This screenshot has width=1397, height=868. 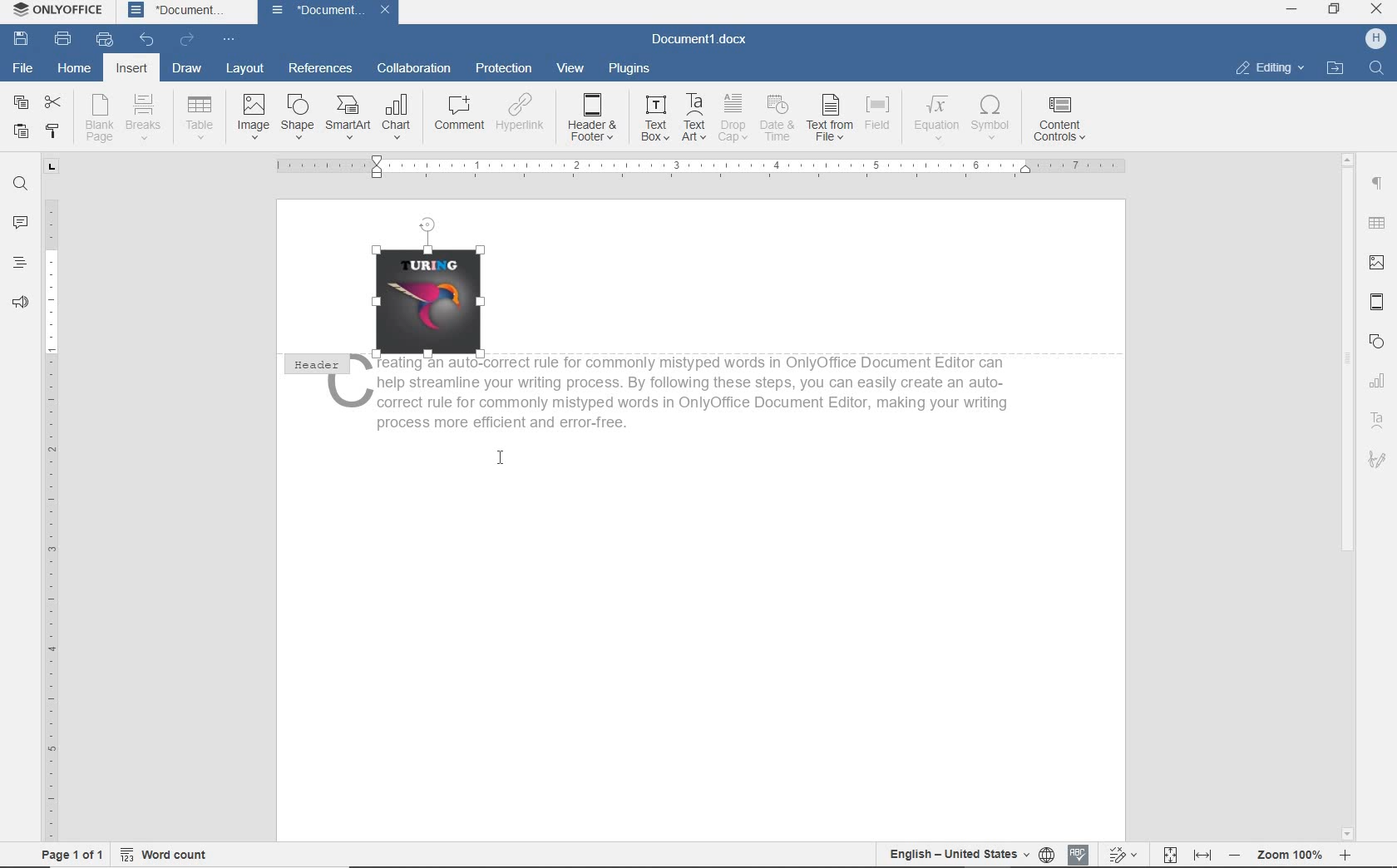 I want to click on , so click(x=992, y=117).